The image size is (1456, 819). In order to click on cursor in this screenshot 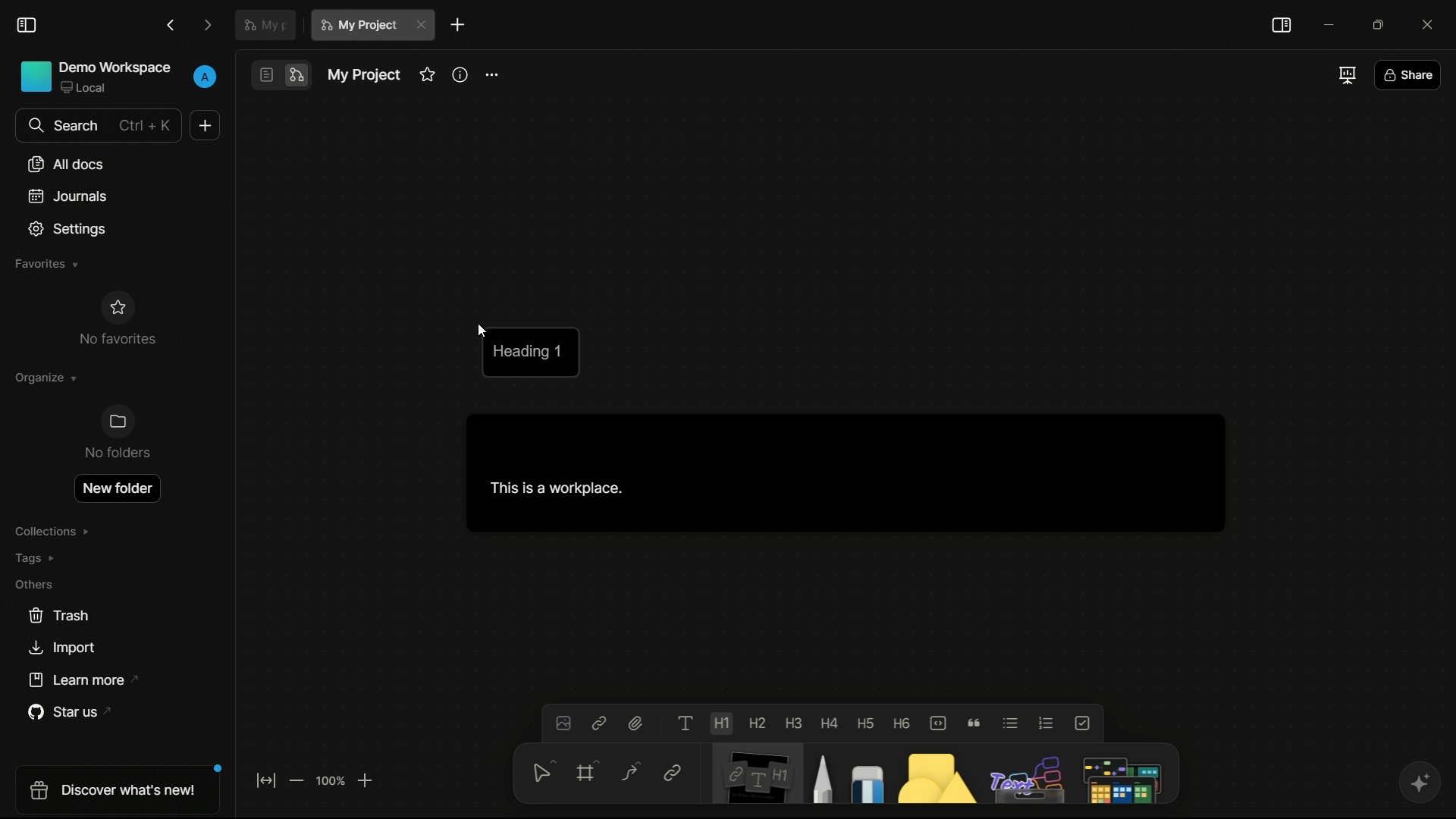, I will do `click(482, 332)`.